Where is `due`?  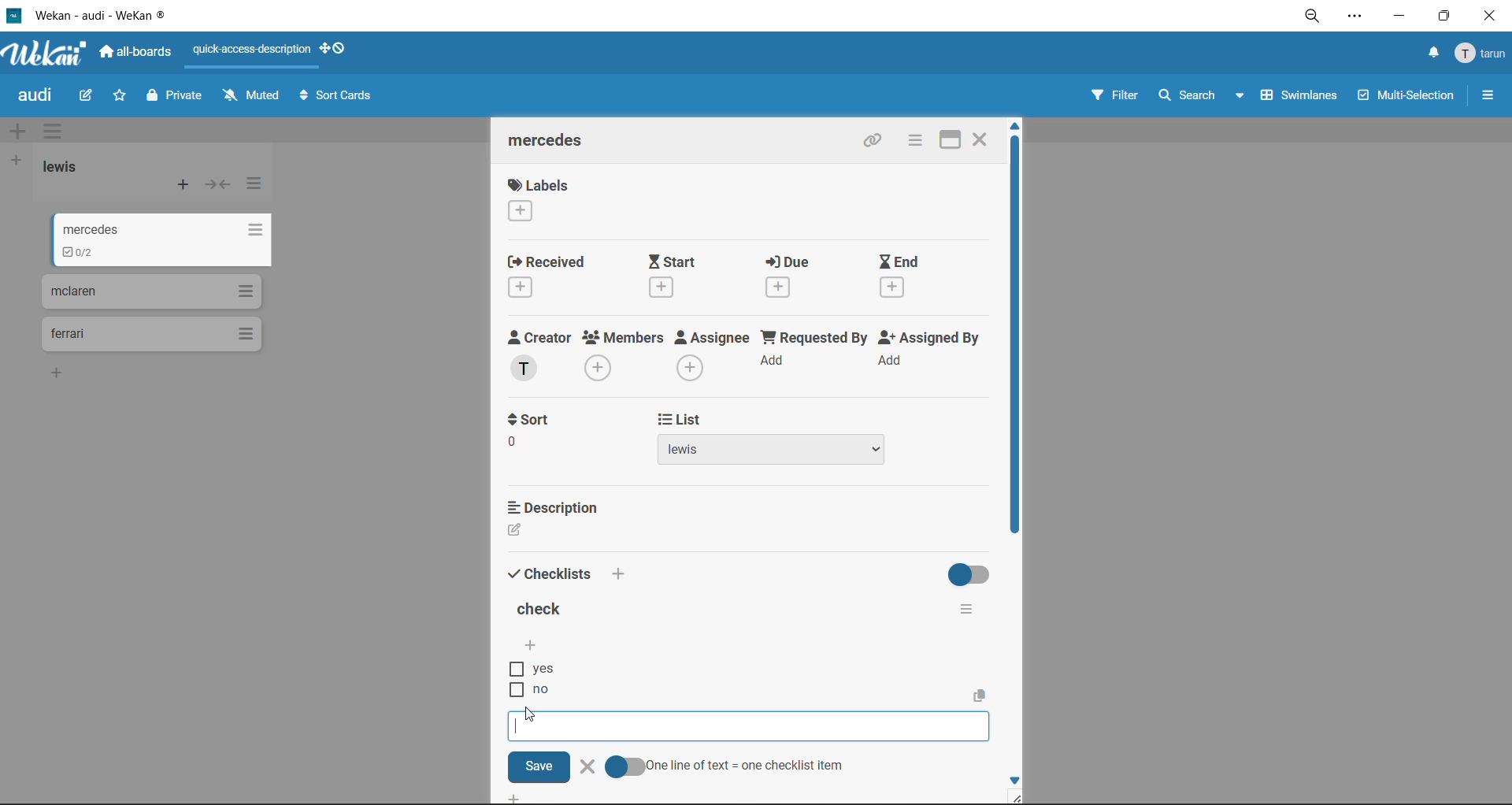 due is located at coordinates (789, 263).